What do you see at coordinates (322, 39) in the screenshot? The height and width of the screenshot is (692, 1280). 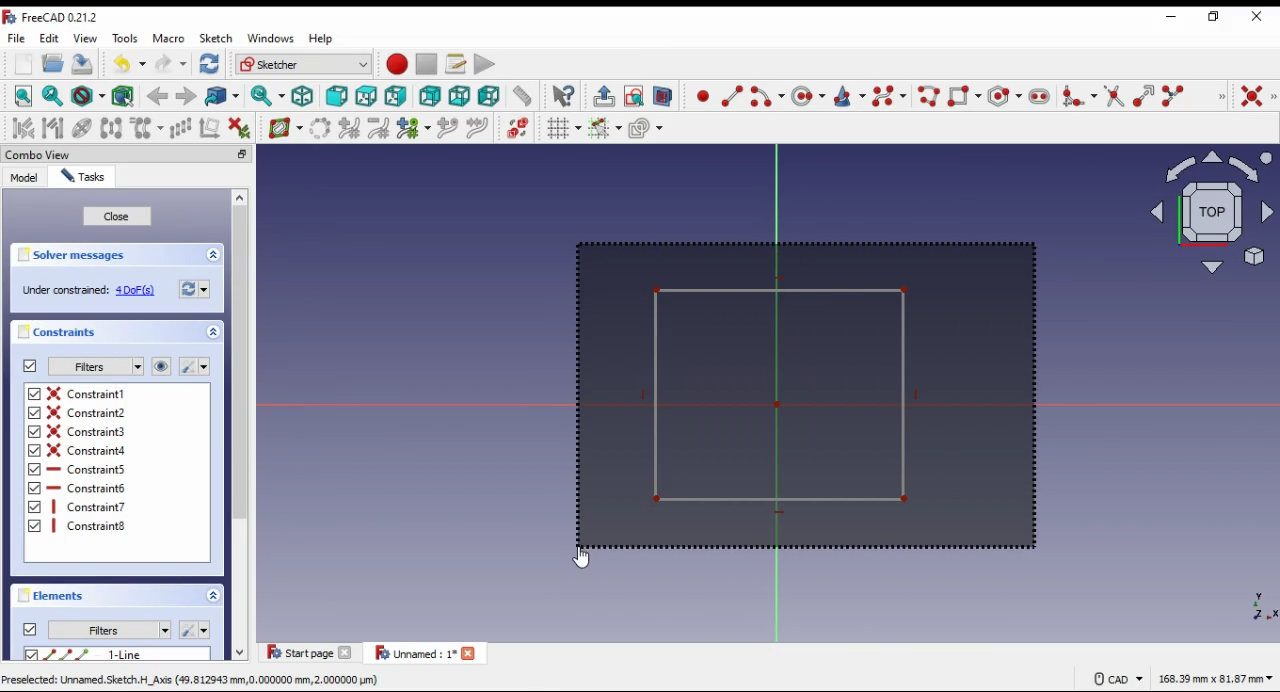 I see `help` at bounding box center [322, 39].